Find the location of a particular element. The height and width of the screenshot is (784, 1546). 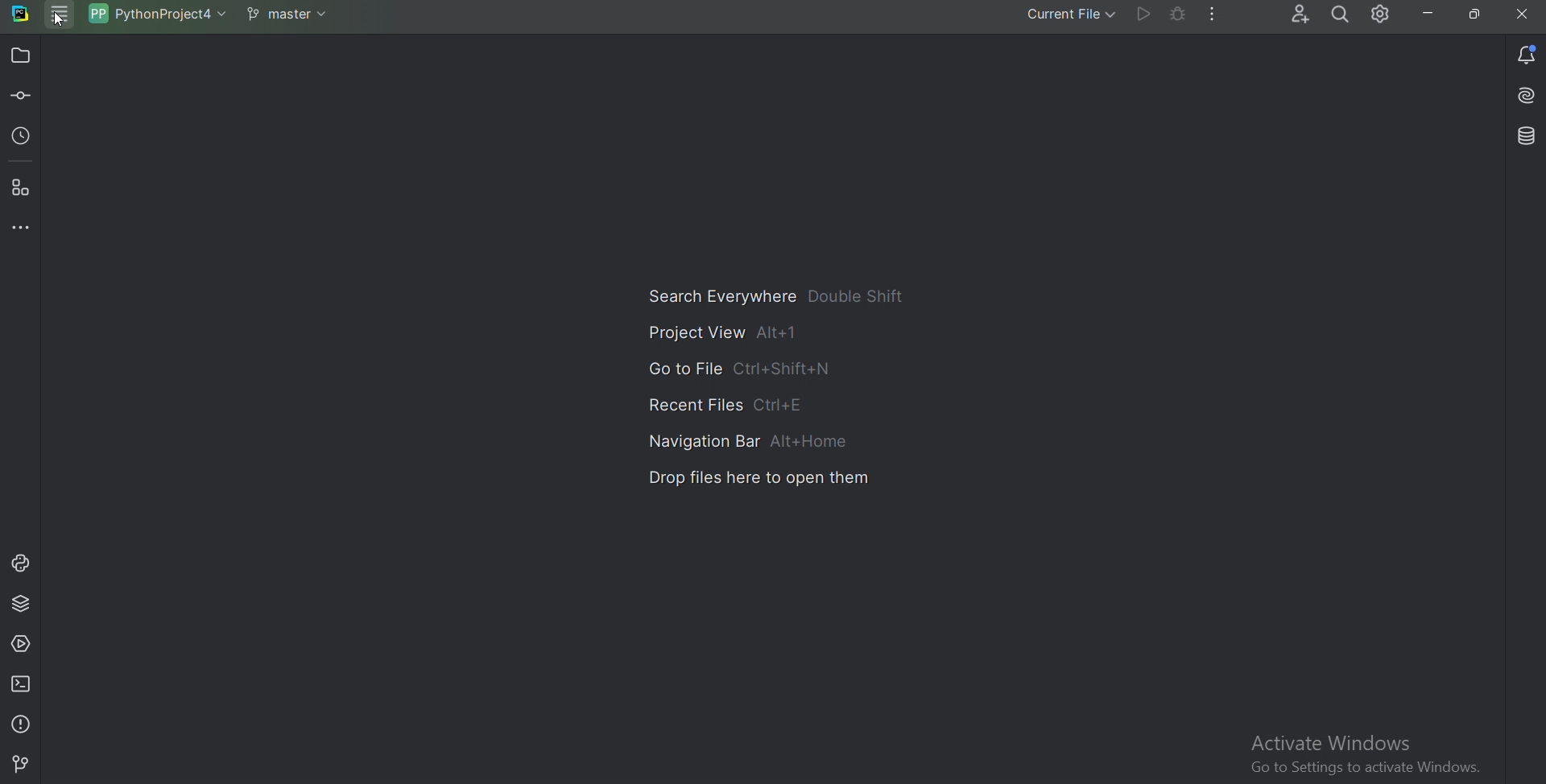

Project name is located at coordinates (158, 15).